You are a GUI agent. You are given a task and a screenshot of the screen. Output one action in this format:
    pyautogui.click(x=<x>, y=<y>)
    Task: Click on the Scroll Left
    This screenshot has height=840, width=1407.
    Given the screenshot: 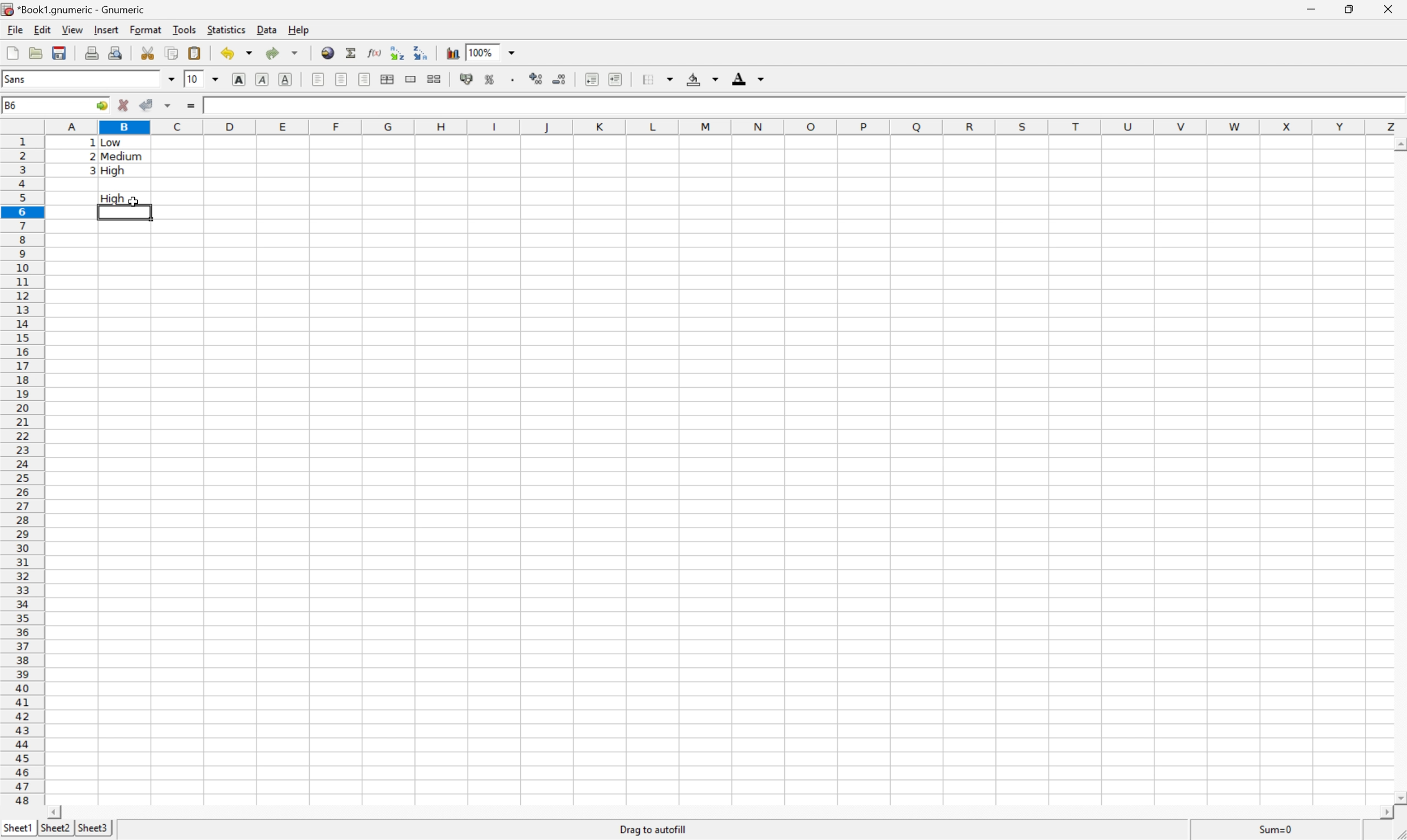 What is the action you would take?
    pyautogui.click(x=57, y=811)
    